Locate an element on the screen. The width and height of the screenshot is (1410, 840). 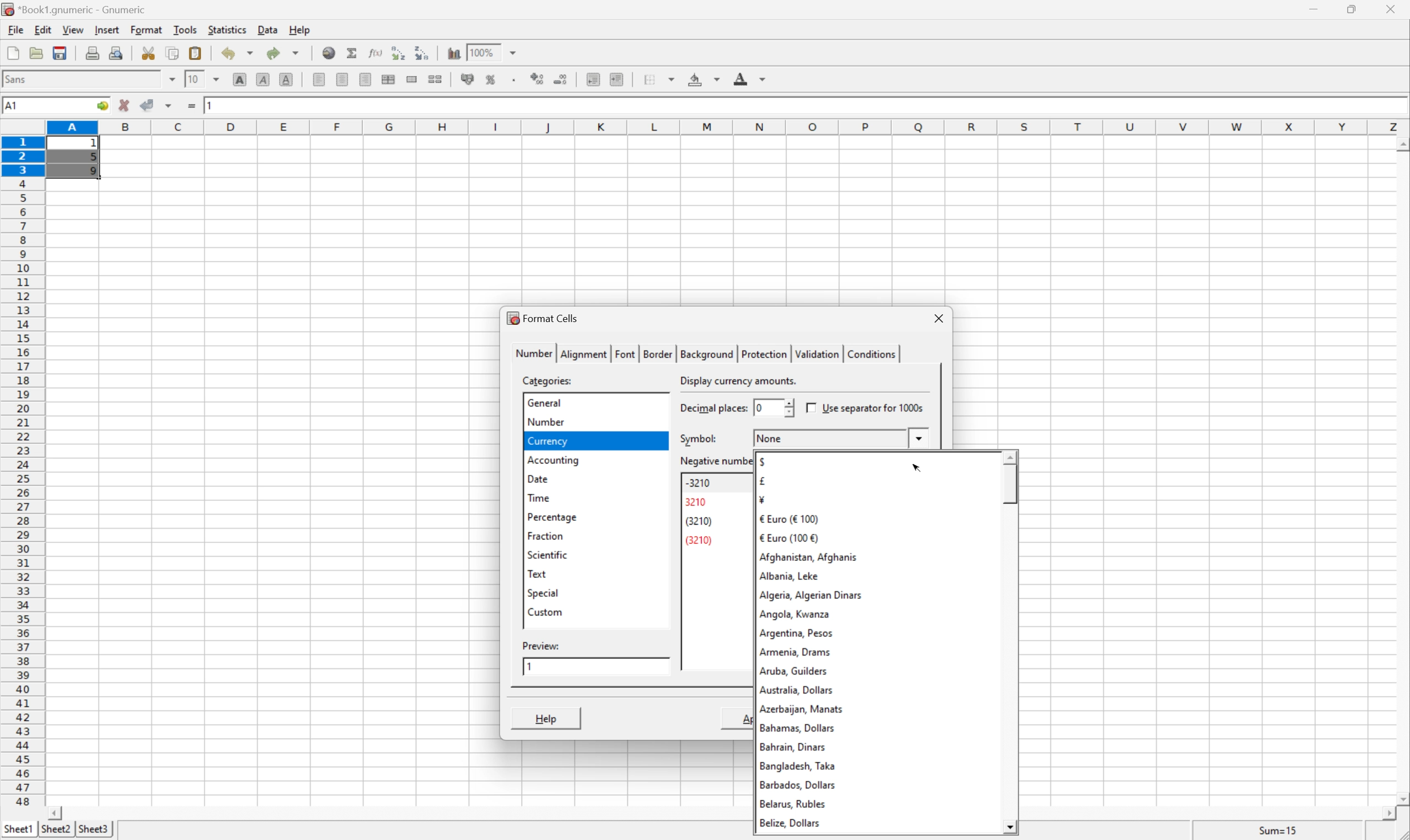
paste is located at coordinates (198, 53).